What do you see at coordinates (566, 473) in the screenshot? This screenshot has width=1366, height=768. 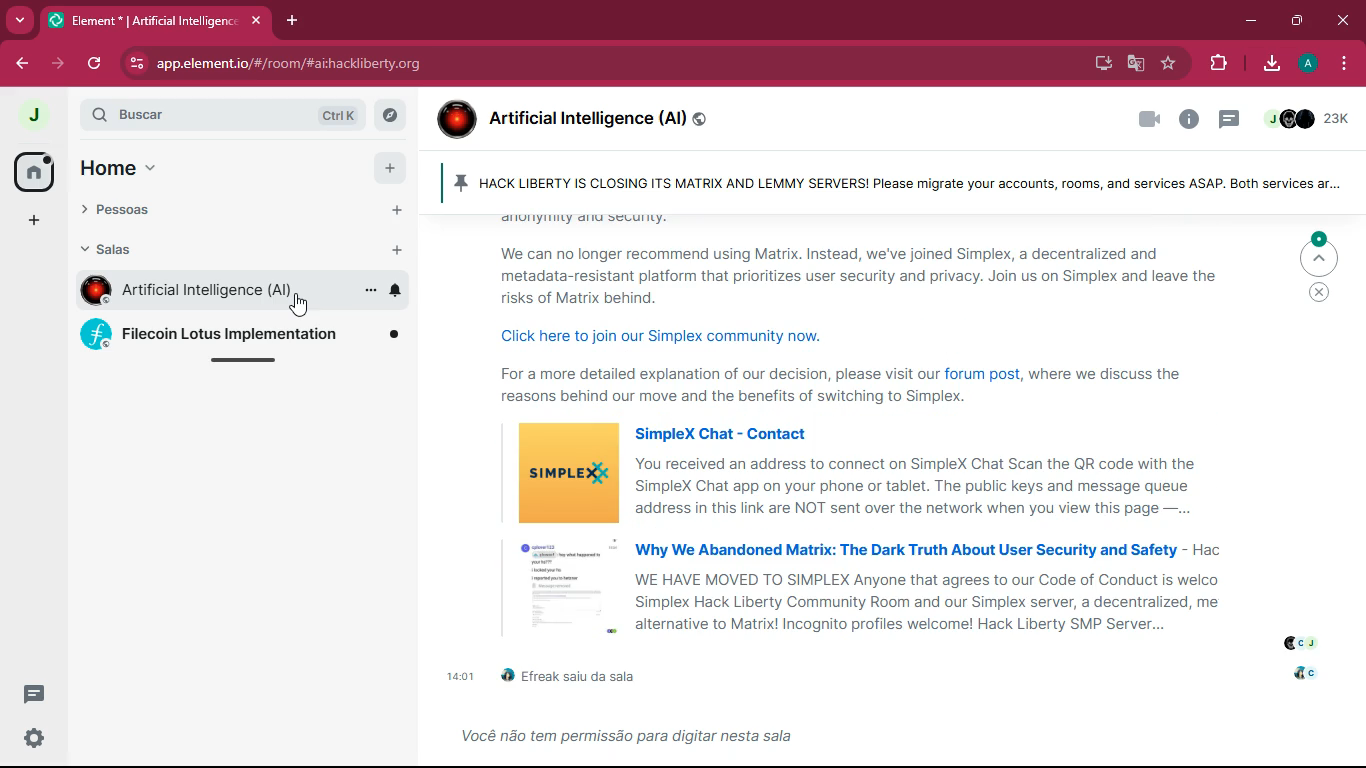 I see `link image` at bounding box center [566, 473].